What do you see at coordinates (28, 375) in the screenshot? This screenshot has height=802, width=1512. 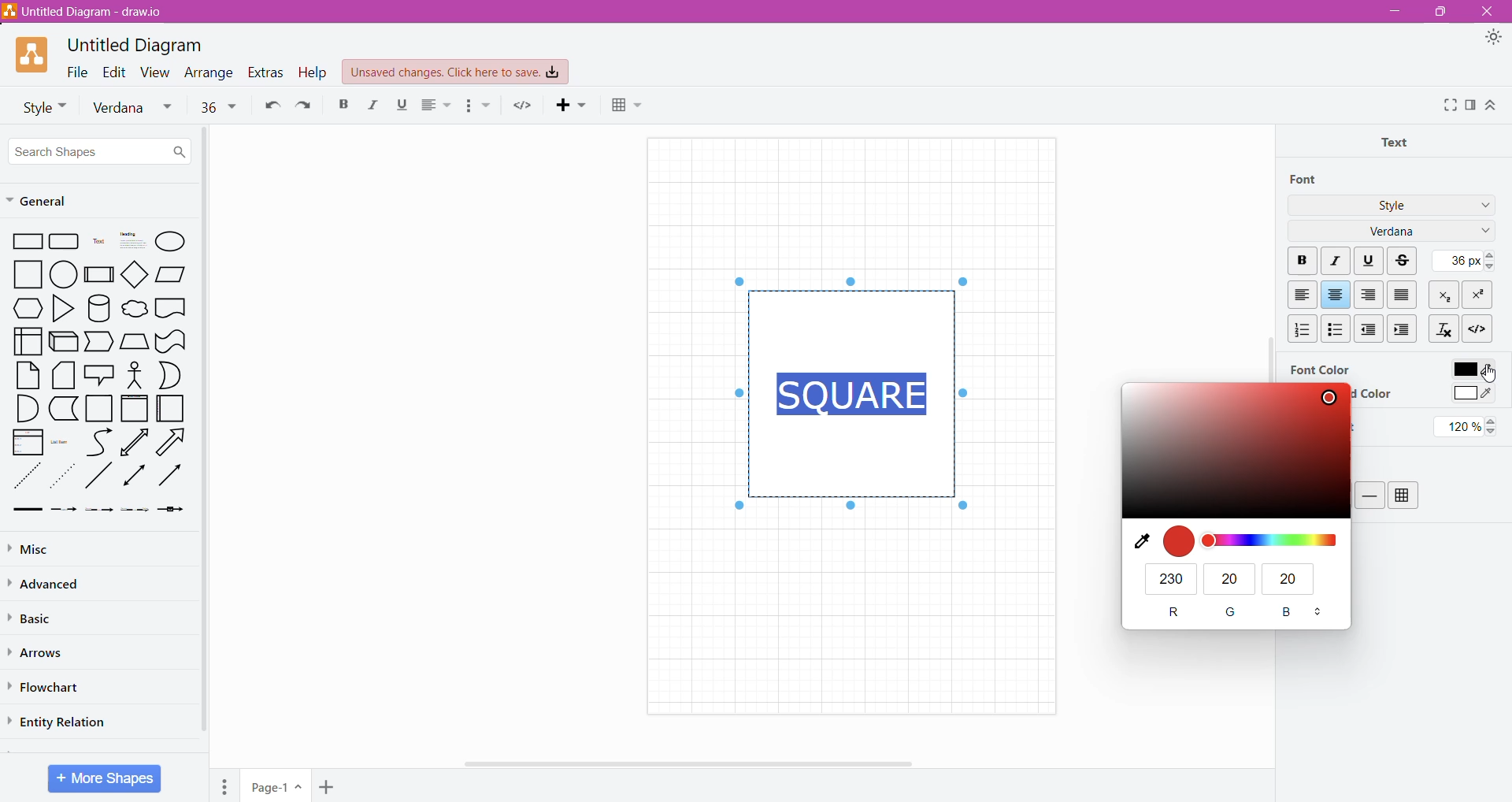 I see `Paper Sheet ` at bounding box center [28, 375].